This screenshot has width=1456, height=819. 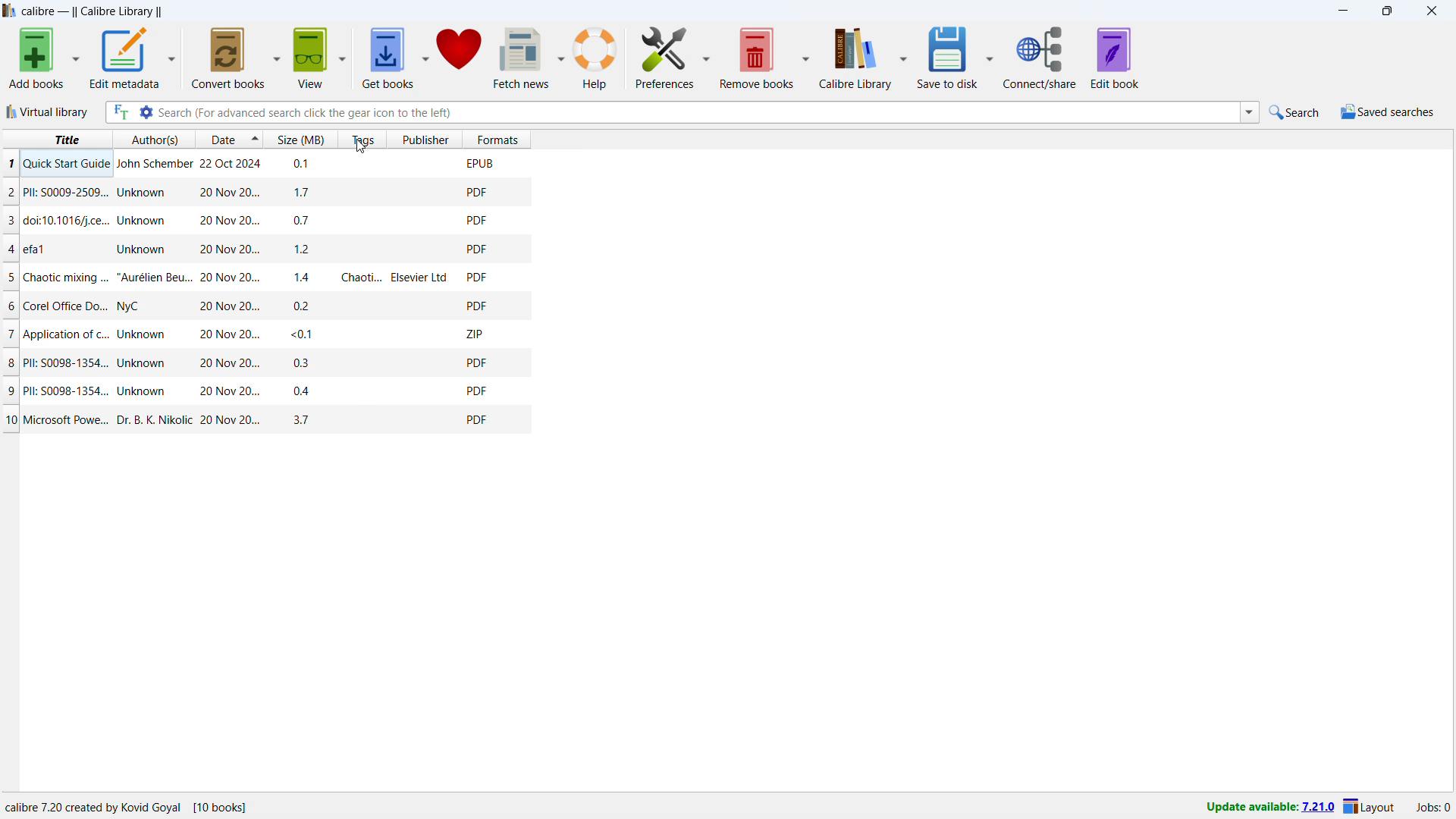 I want to click on convert books option, so click(x=278, y=56).